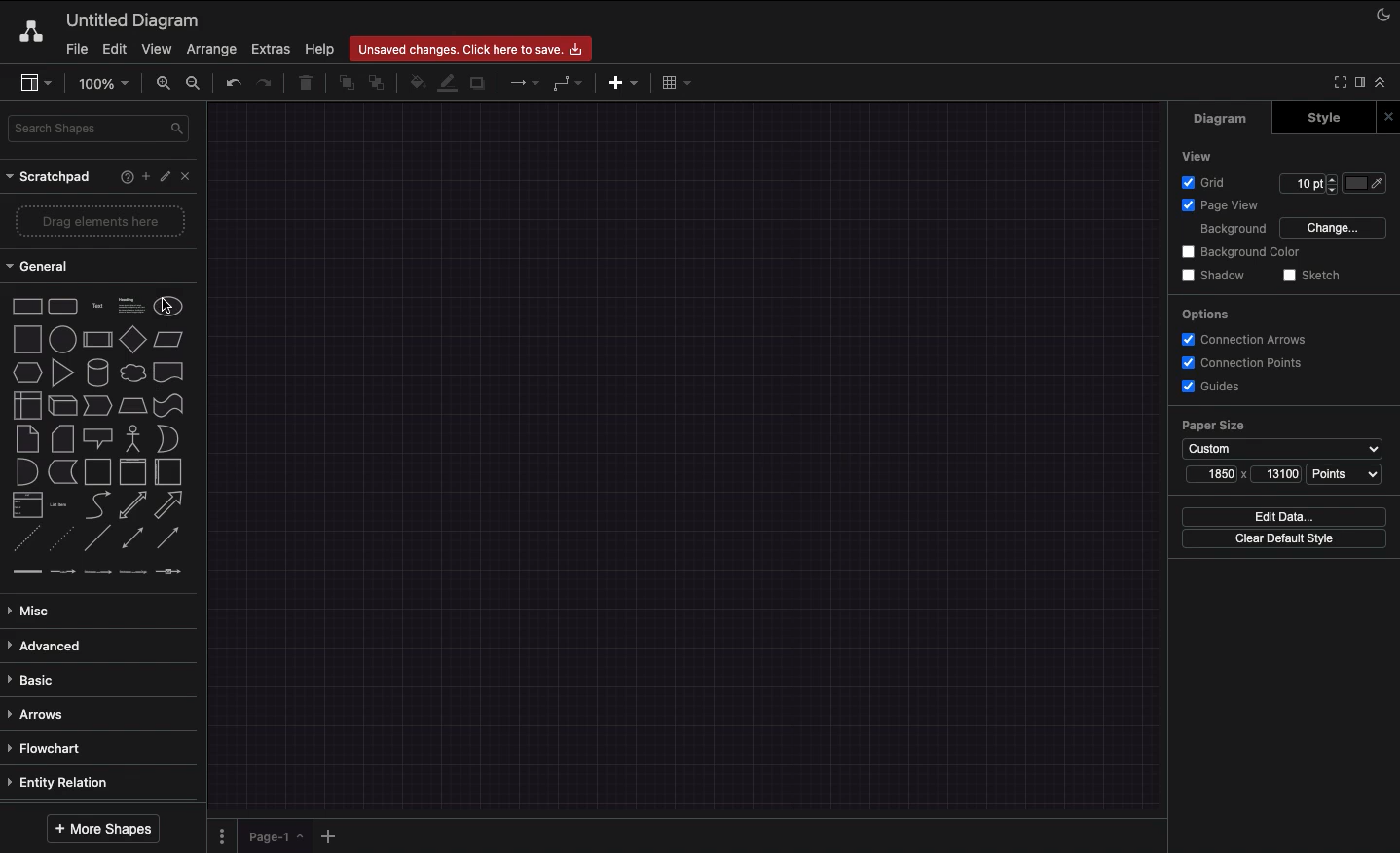  Describe the element at coordinates (479, 82) in the screenshot. I see `Shadow` at that location.